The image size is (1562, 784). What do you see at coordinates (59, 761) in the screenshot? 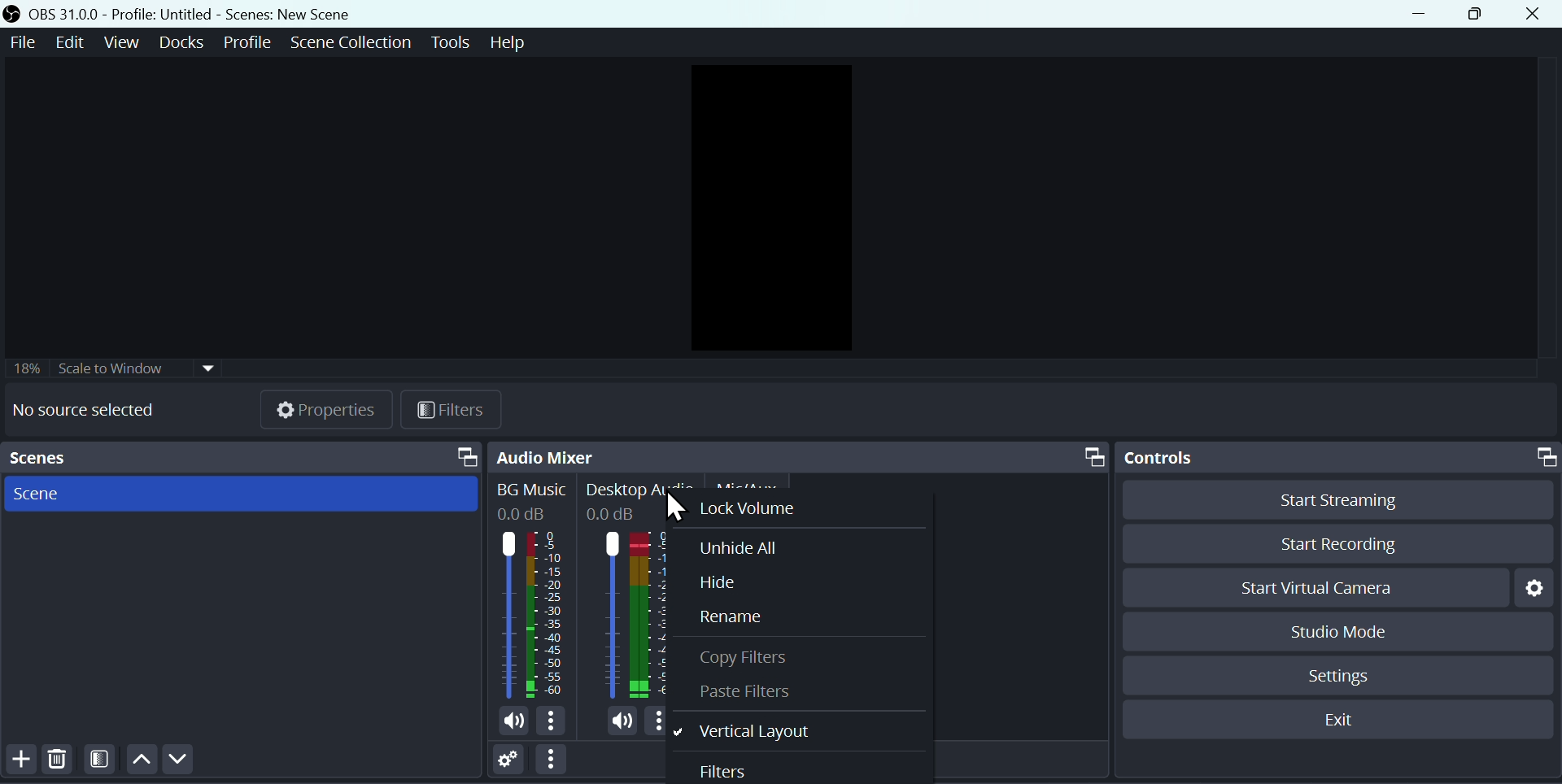
I see `Delete` at bounding box center [59, 761].